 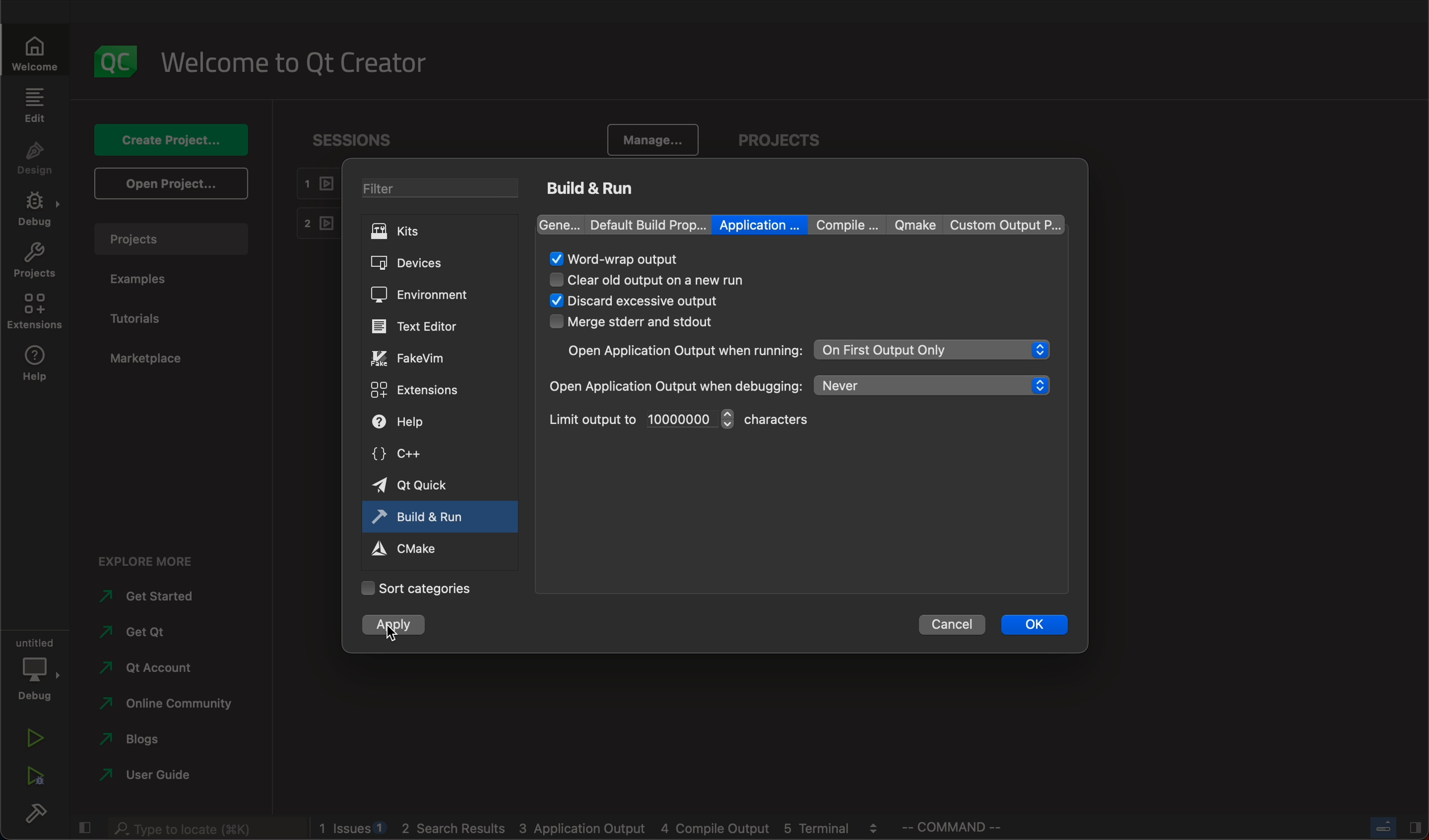 I want to click on blogs, so click(x=151, y=741).